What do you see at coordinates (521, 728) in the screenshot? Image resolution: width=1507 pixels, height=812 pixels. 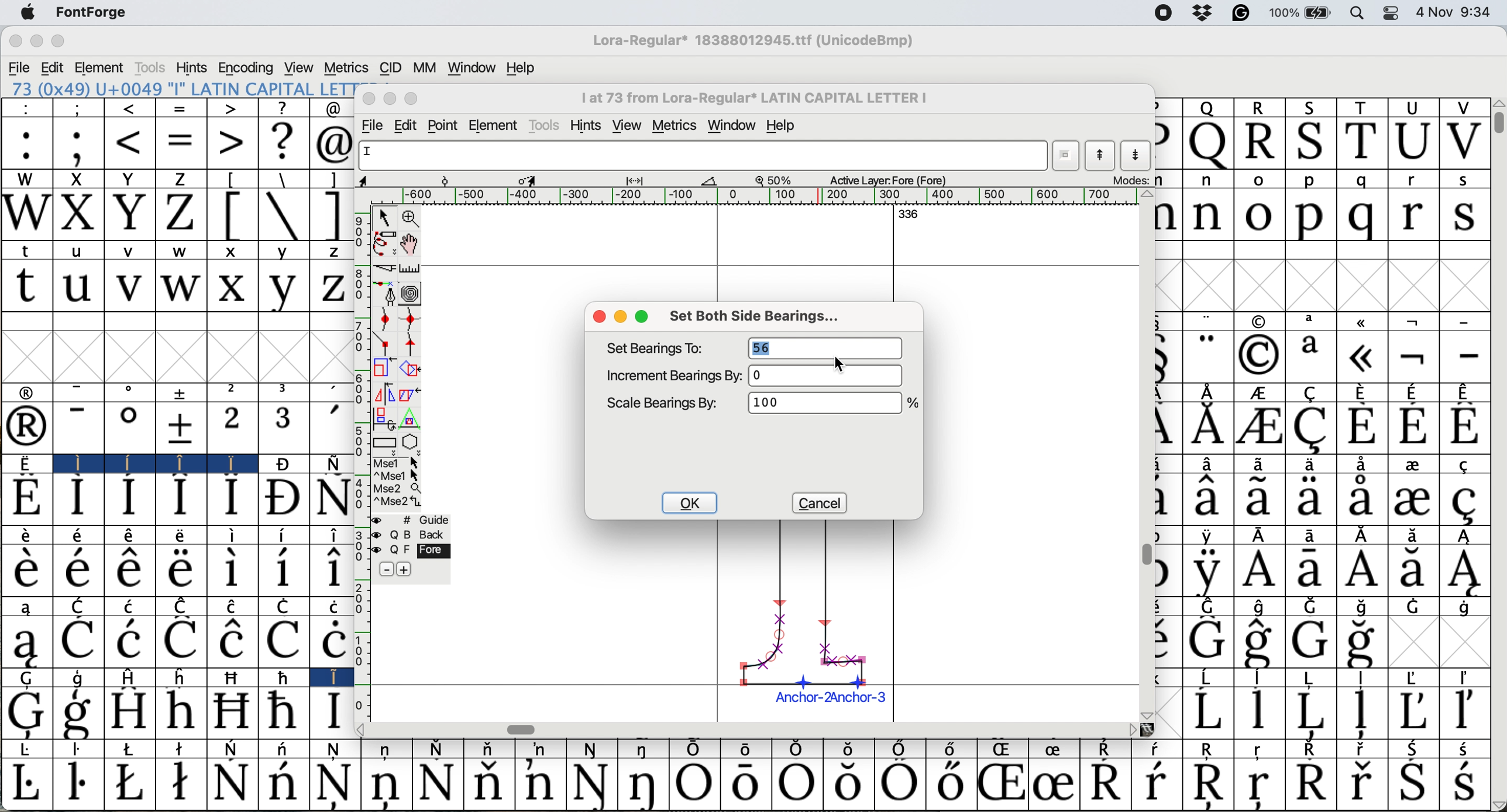 I see `horizontal scroll bar` at bounding box center [521, 728].